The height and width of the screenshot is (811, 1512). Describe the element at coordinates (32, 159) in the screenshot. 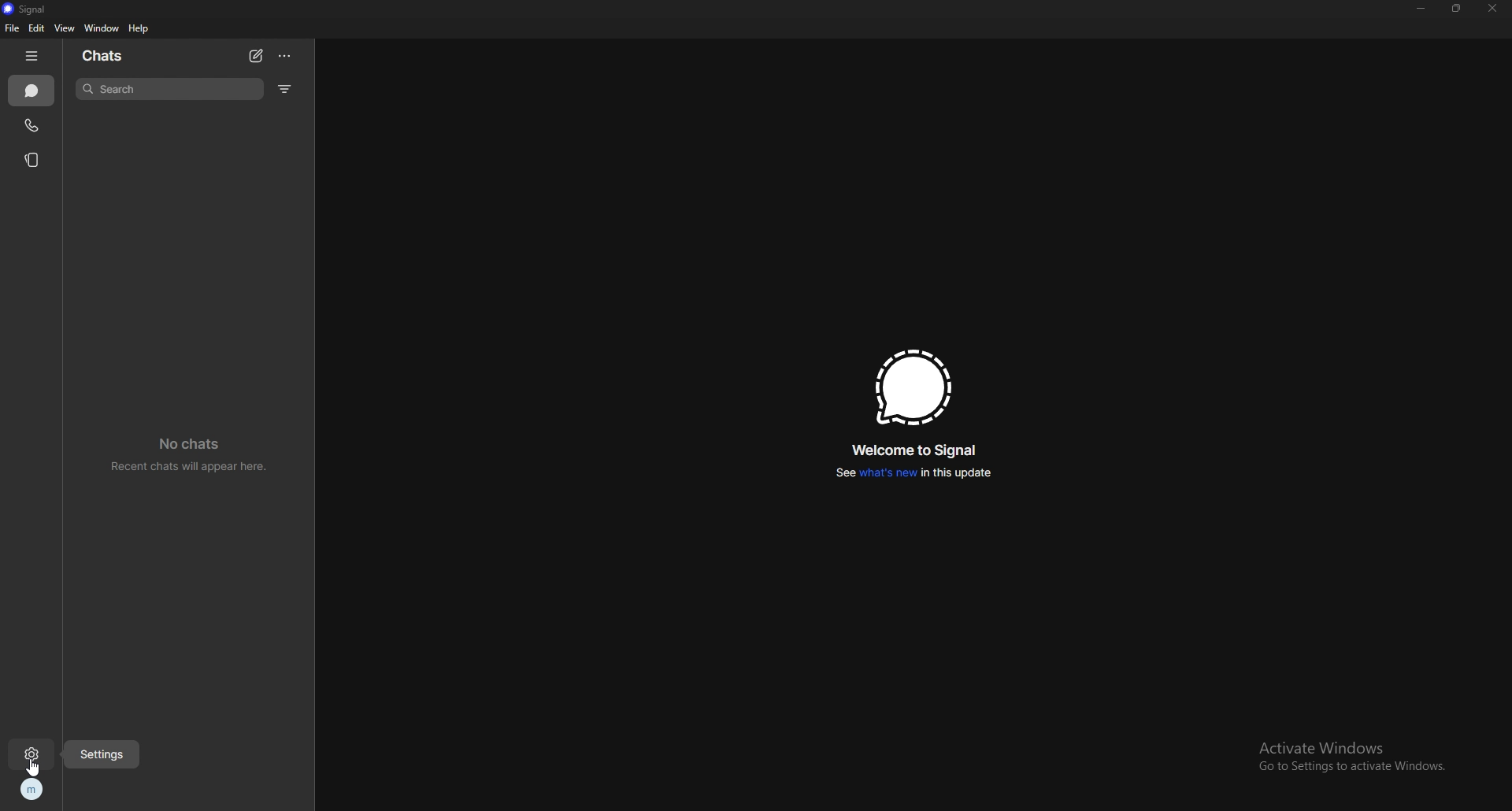

I see `stories` at that location.